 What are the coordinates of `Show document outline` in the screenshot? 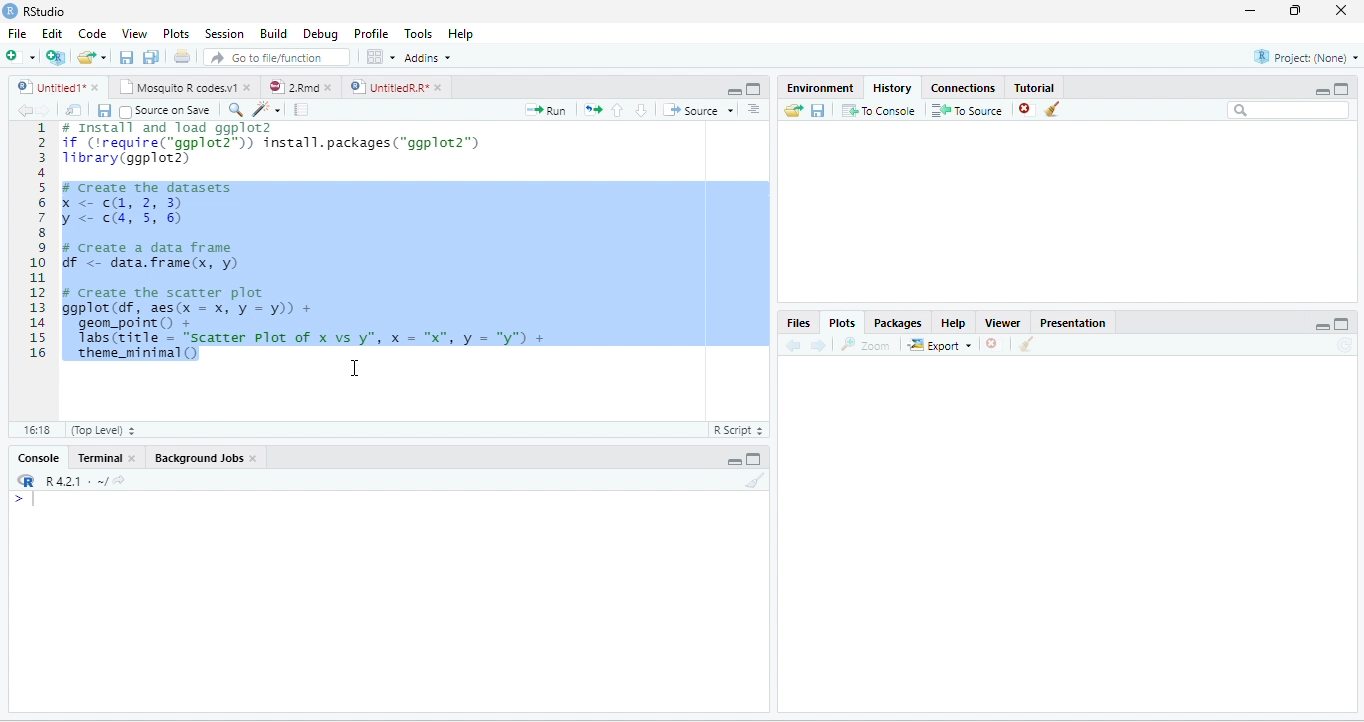 It's located at (754, 108).